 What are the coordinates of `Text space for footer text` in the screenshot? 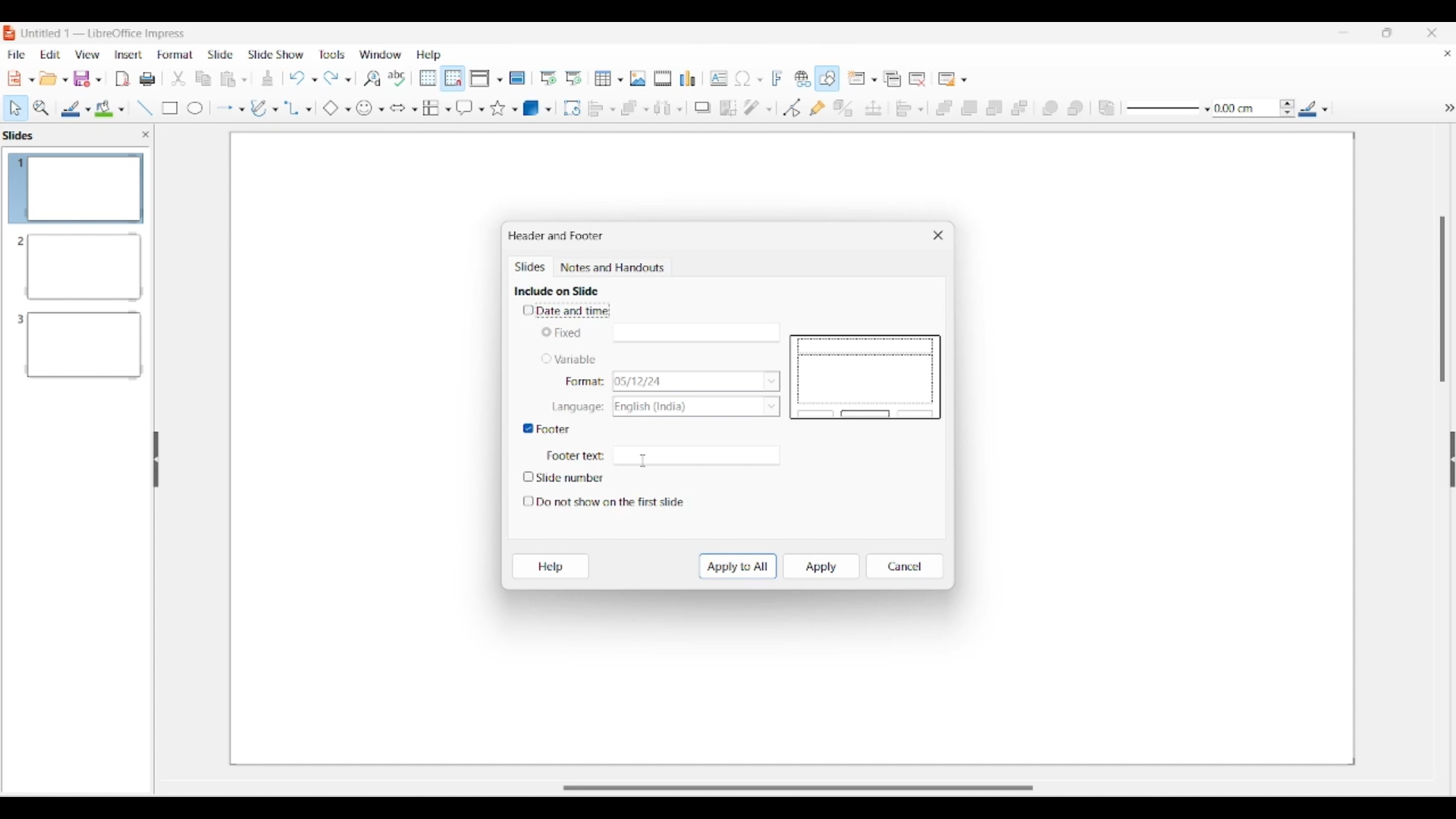 It's located at (695, 456).